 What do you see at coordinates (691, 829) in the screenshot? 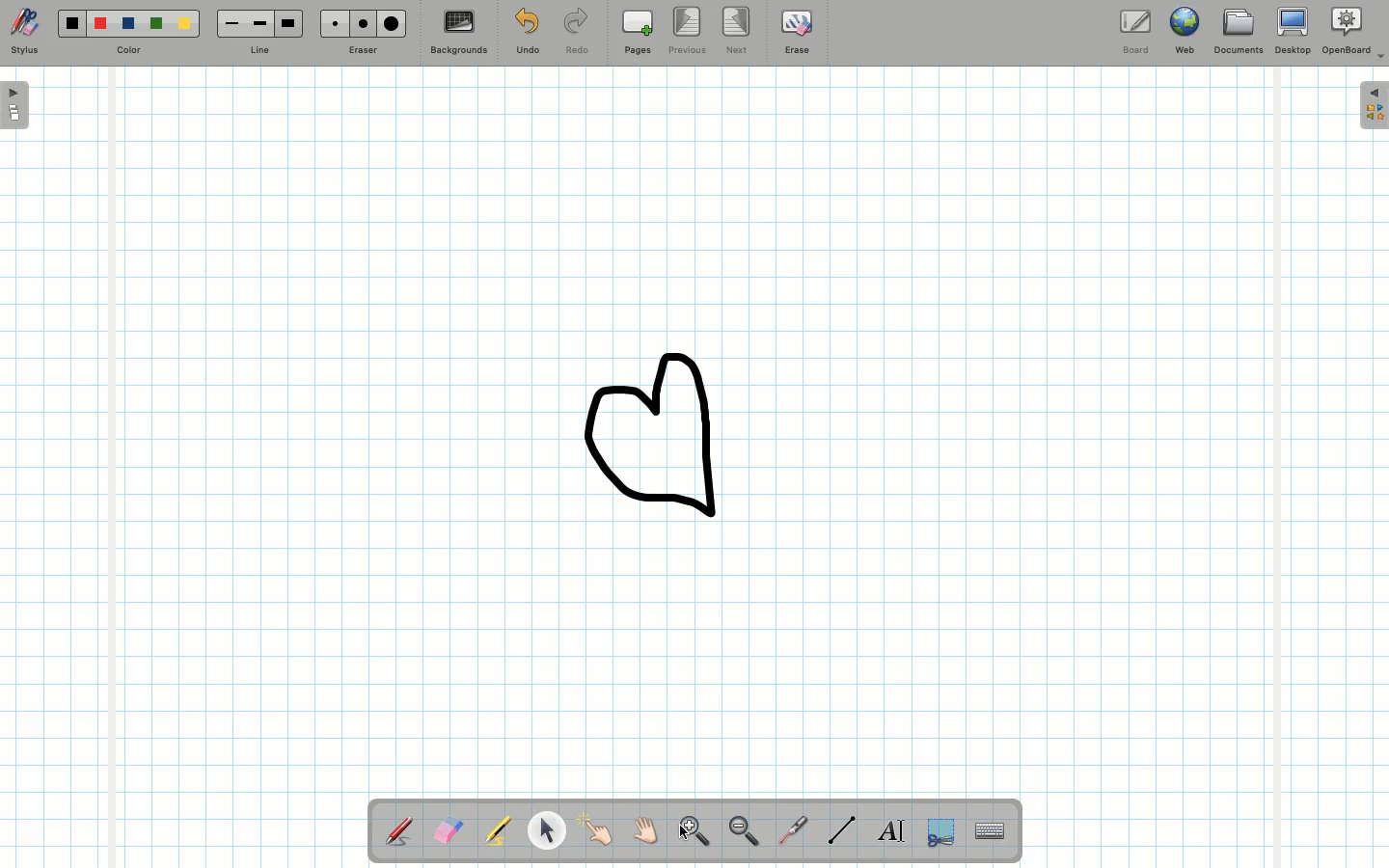
I see `Zoom in` at bounding box center [691, 829].